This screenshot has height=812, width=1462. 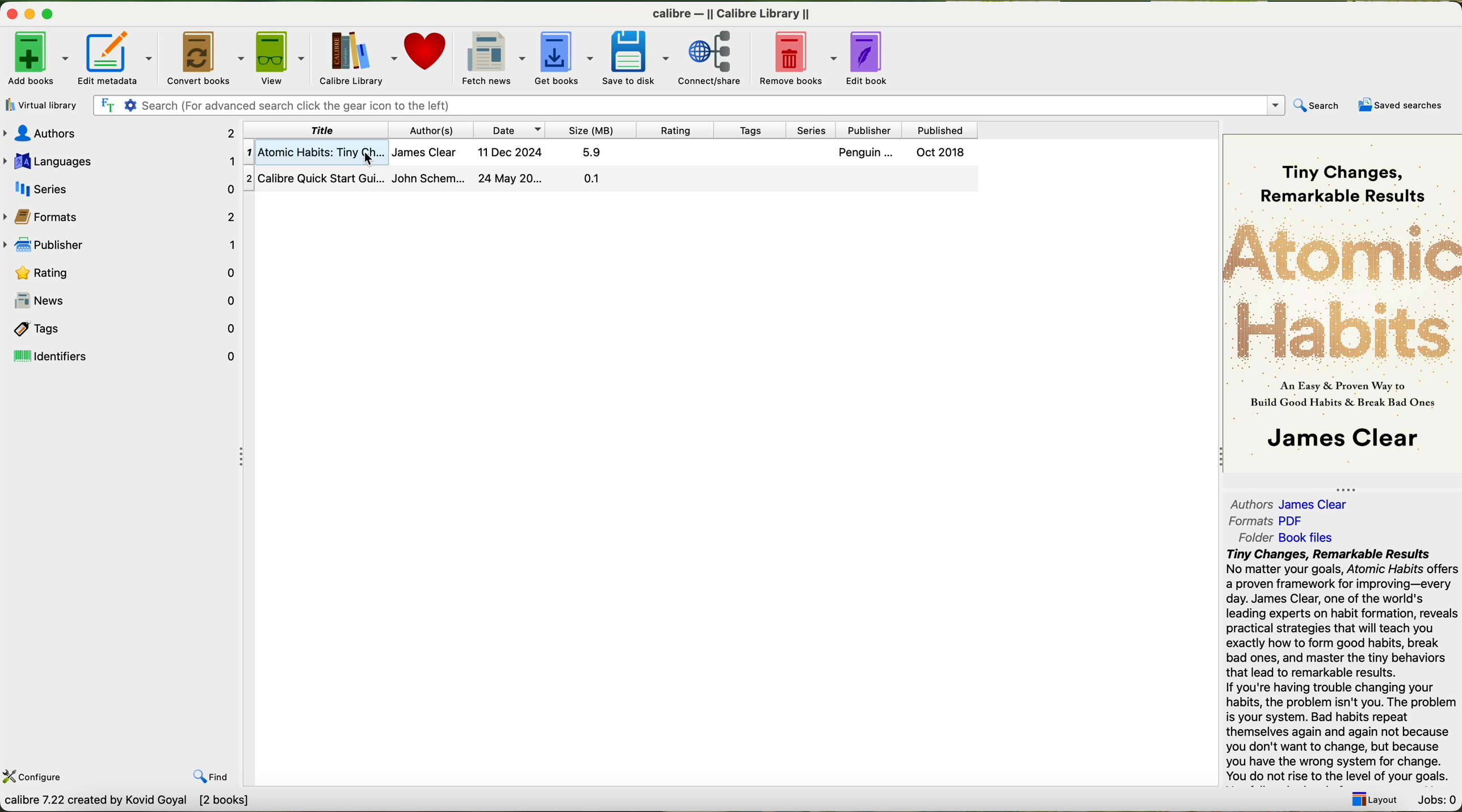 I want to click on published, so click(x=941, y=129).